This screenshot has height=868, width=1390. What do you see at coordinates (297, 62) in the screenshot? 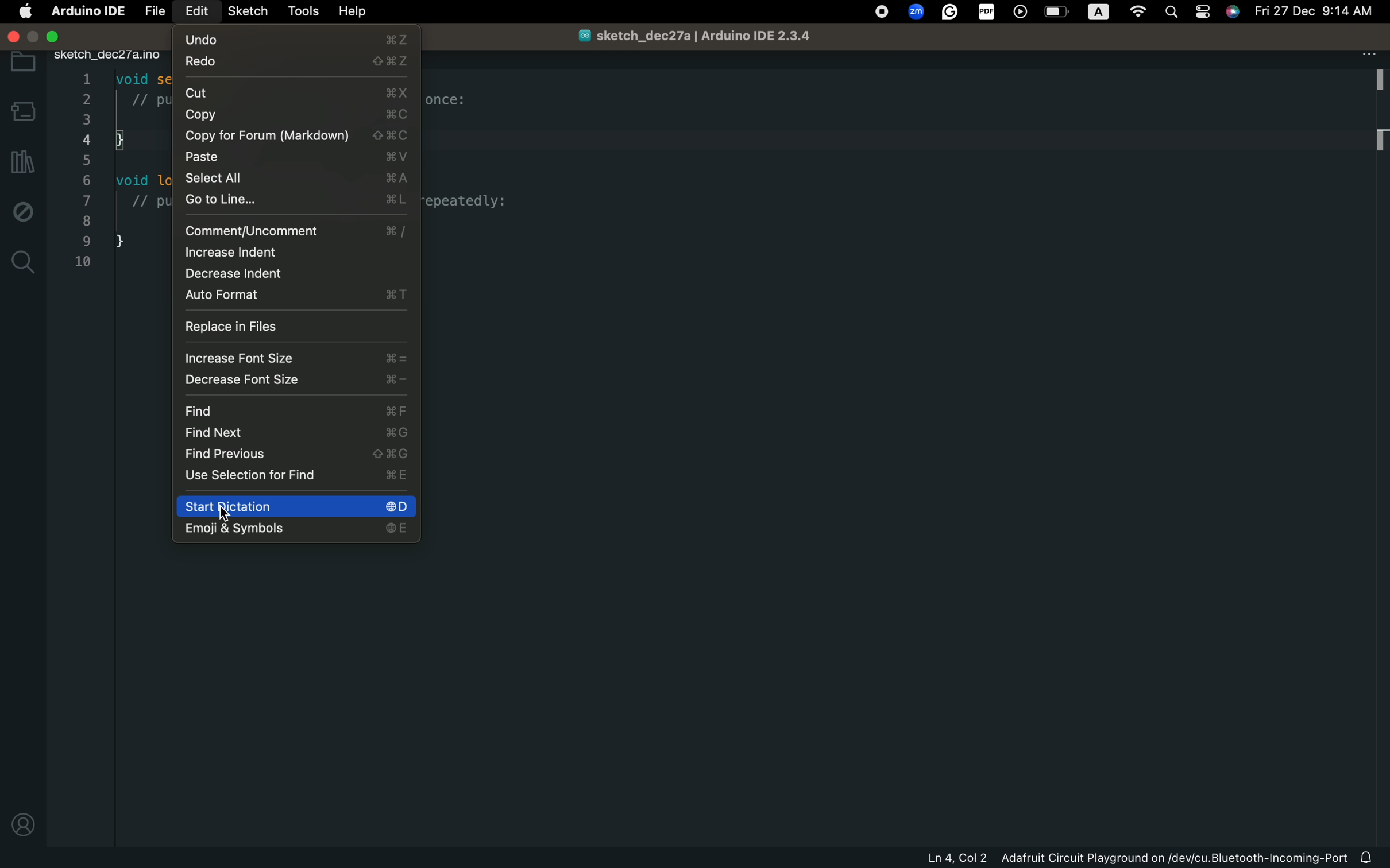
I see `redo` at bounding box center [297, 62].